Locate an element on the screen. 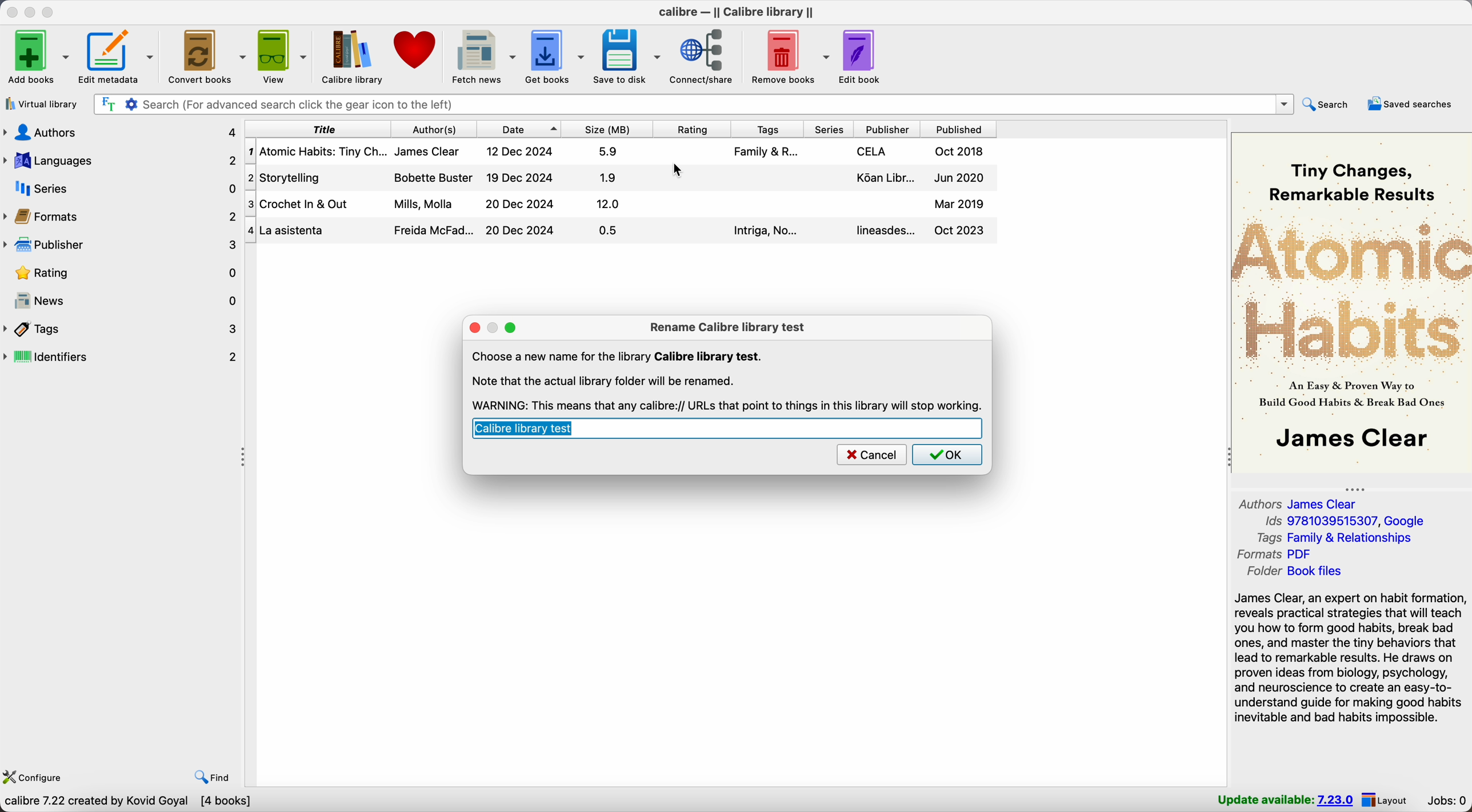 The width and height of the screenshot is (1472, 812). Ids 9781039515307, Google is located at coordinates (1346, 519).